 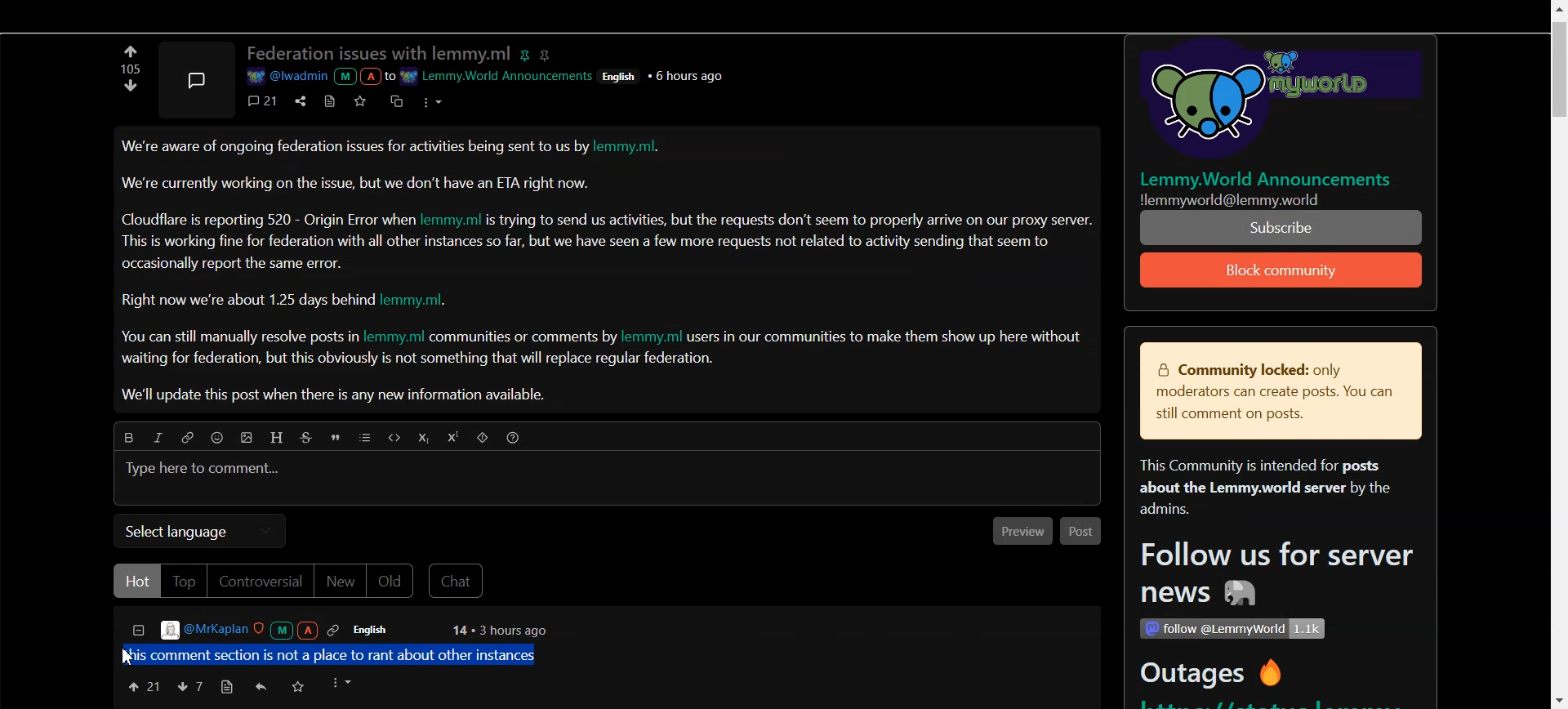 I want to click on New, so click(x=340, y=582).